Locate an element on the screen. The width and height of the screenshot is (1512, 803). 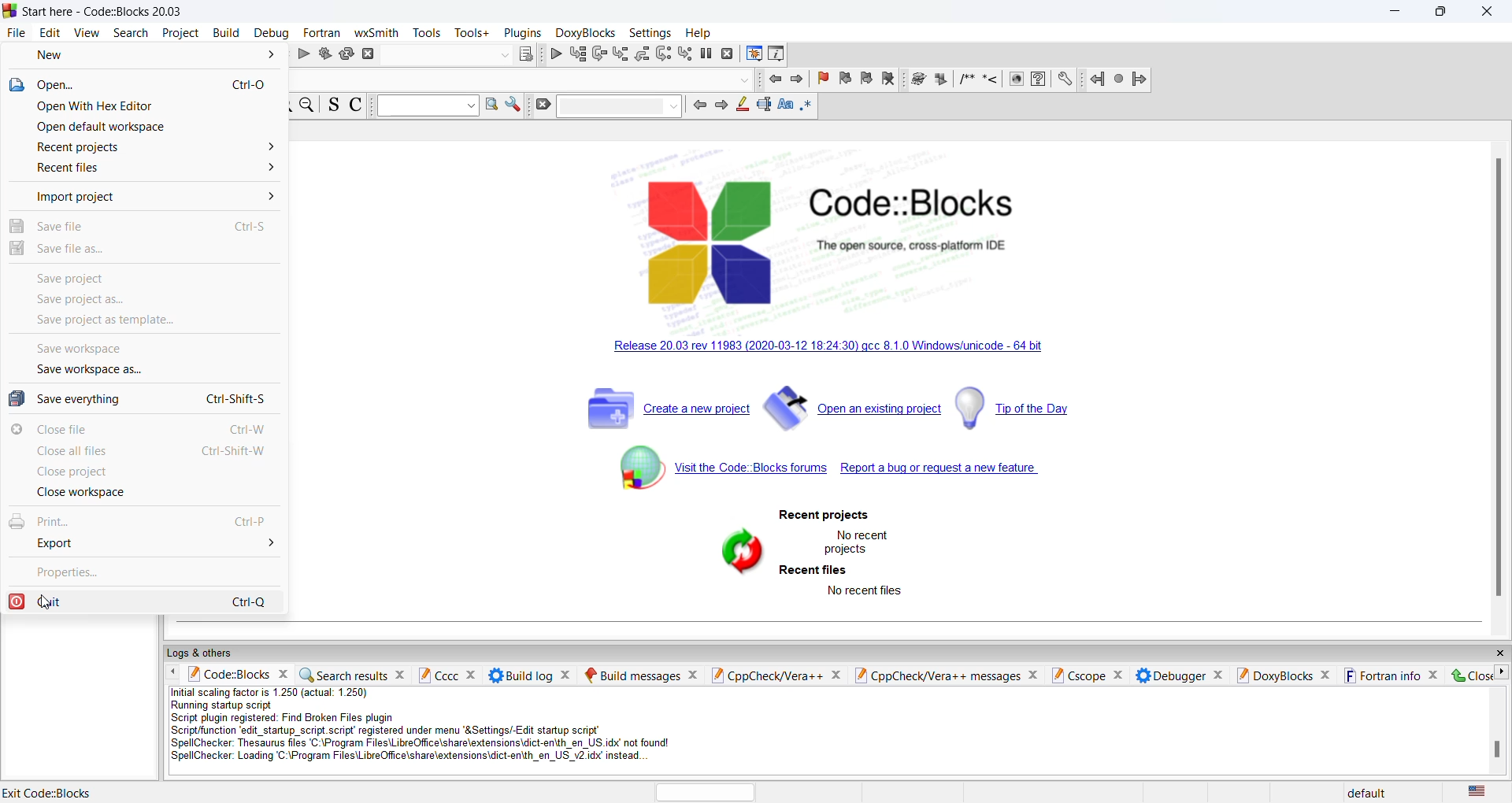
save project as is located at coordinates (139, 299).